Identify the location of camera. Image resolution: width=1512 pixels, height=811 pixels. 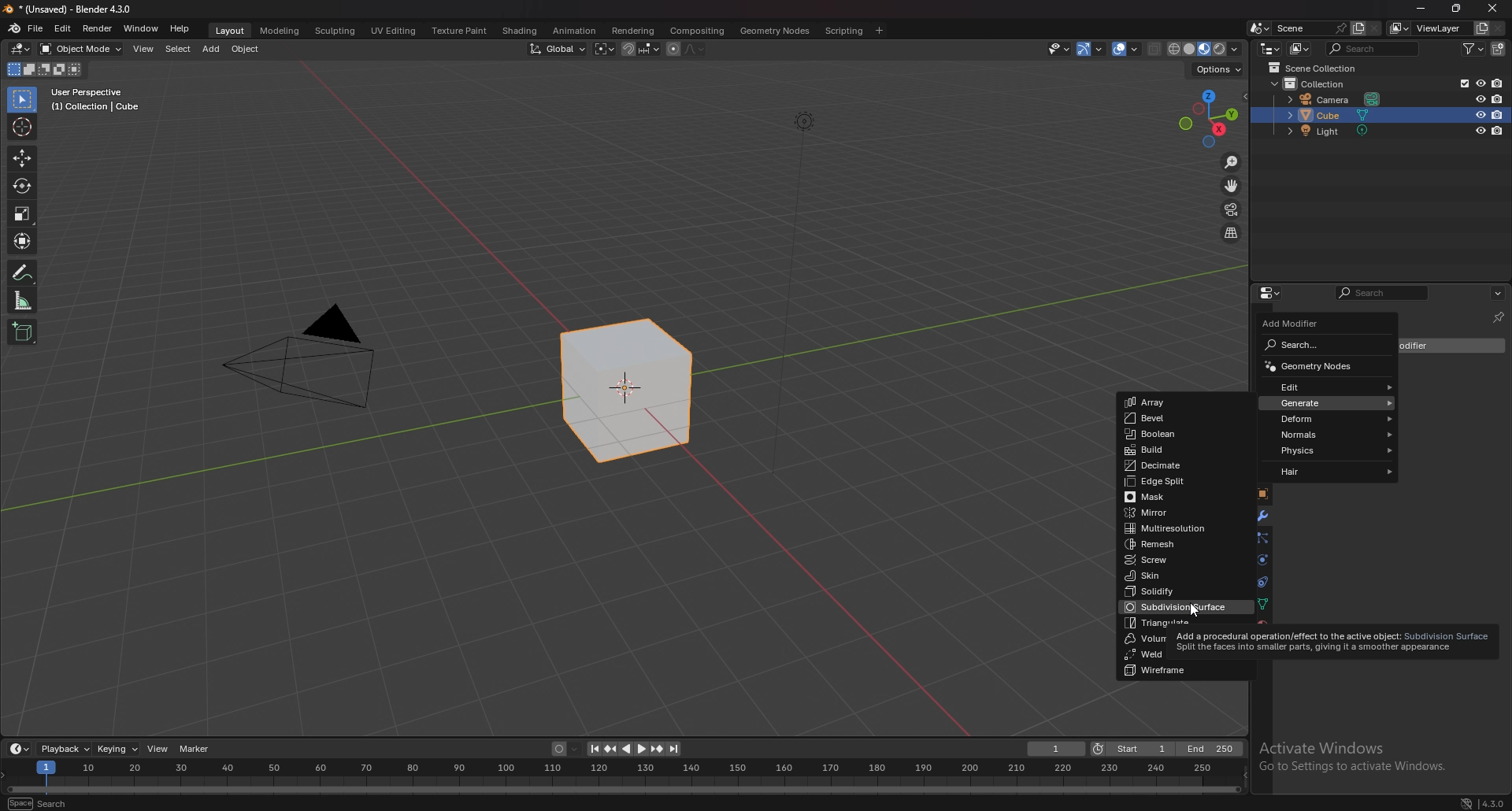
(1336, 99).